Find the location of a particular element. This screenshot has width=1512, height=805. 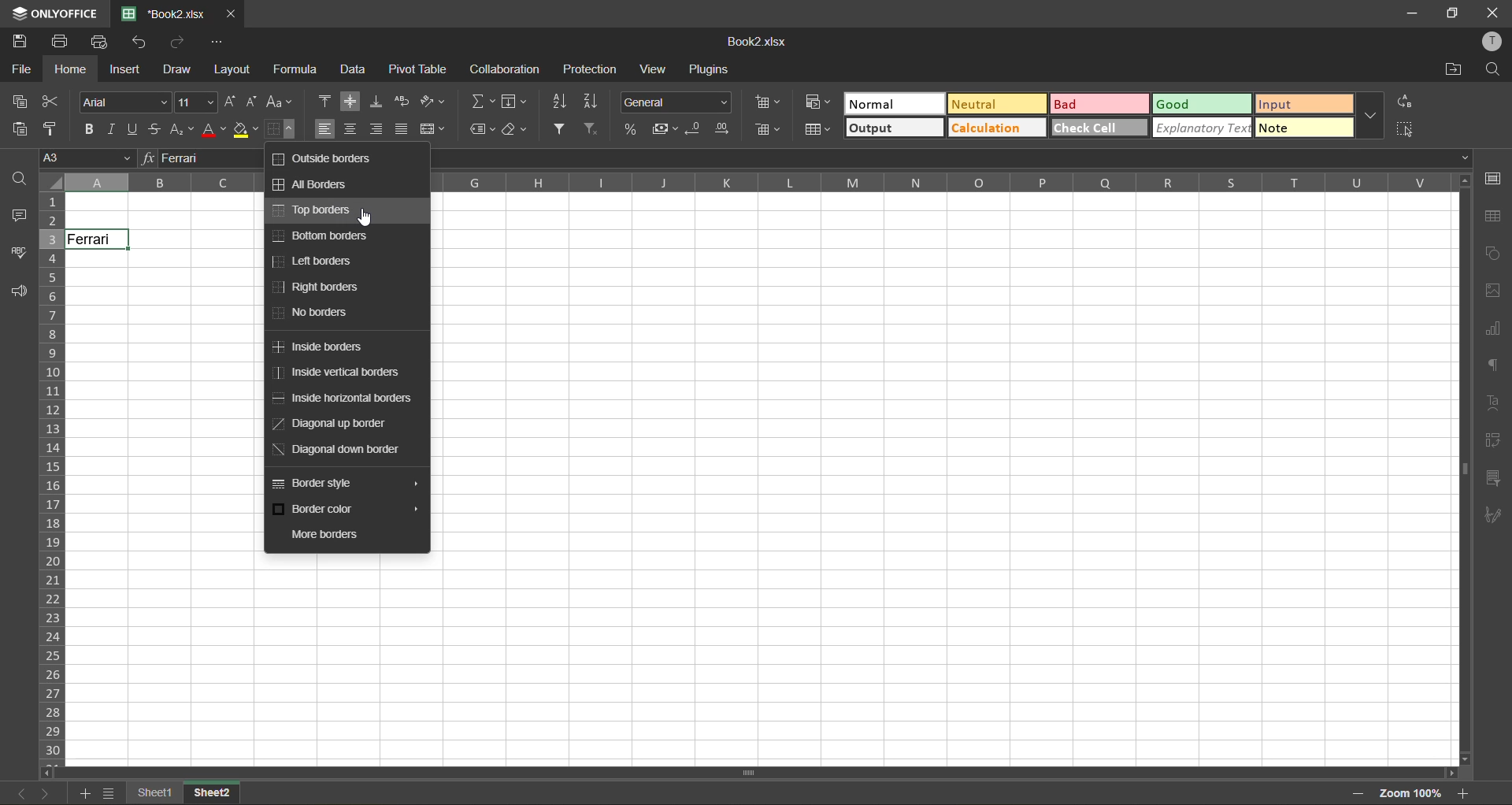

maximize is located at coordinates (1451, 12).